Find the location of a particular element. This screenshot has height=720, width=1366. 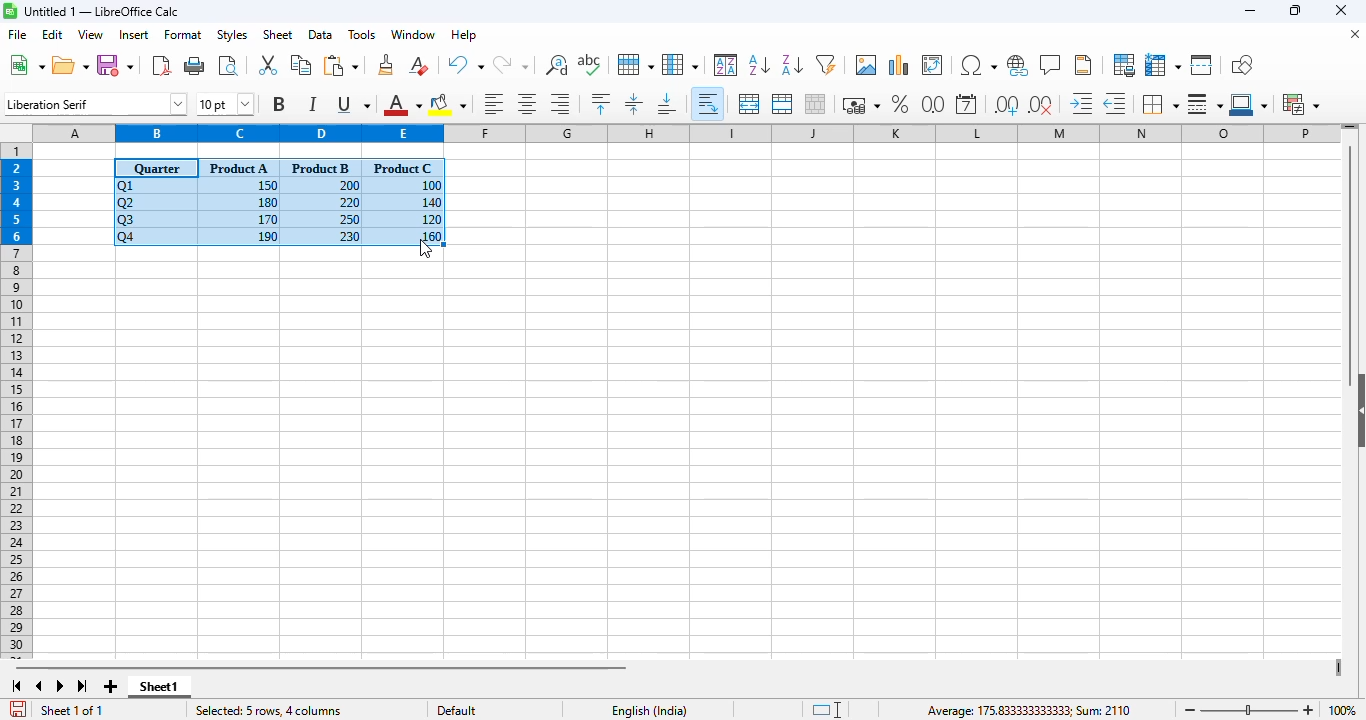

scroll to previous sheet is located at coordinates (39, 686).